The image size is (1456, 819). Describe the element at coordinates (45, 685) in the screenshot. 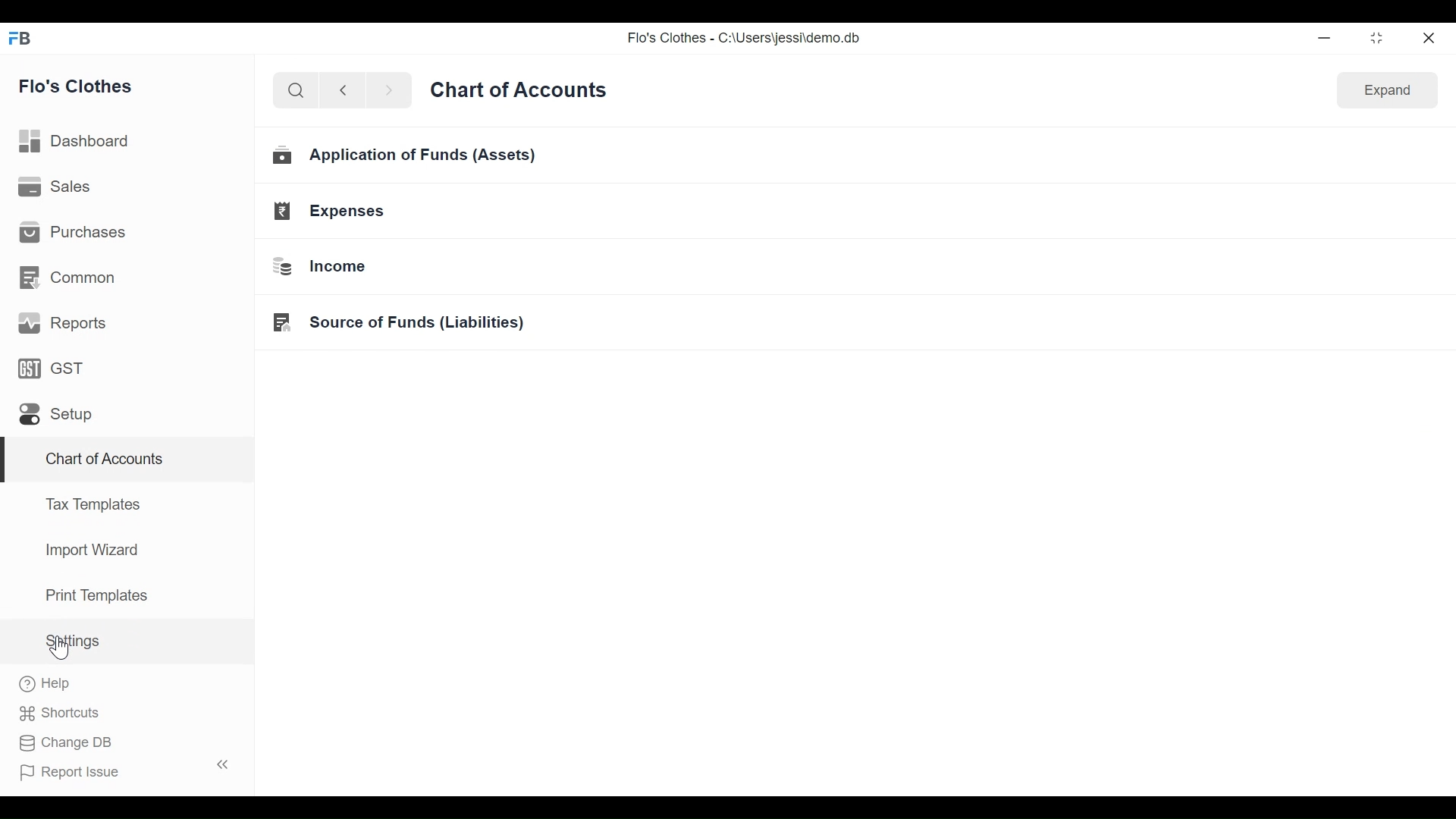

I see `Help` at that location.